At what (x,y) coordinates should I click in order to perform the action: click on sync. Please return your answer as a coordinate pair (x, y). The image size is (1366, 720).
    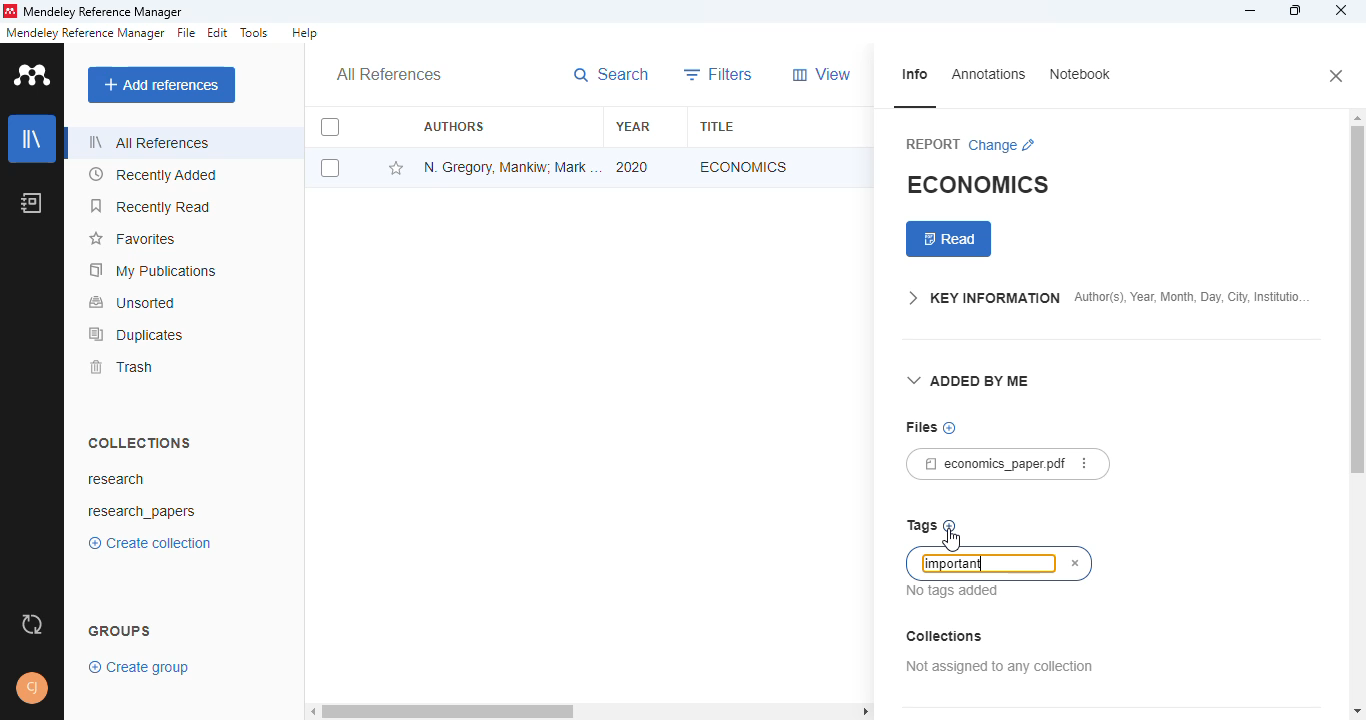
    Looking at the image, I should click on (32, 623).